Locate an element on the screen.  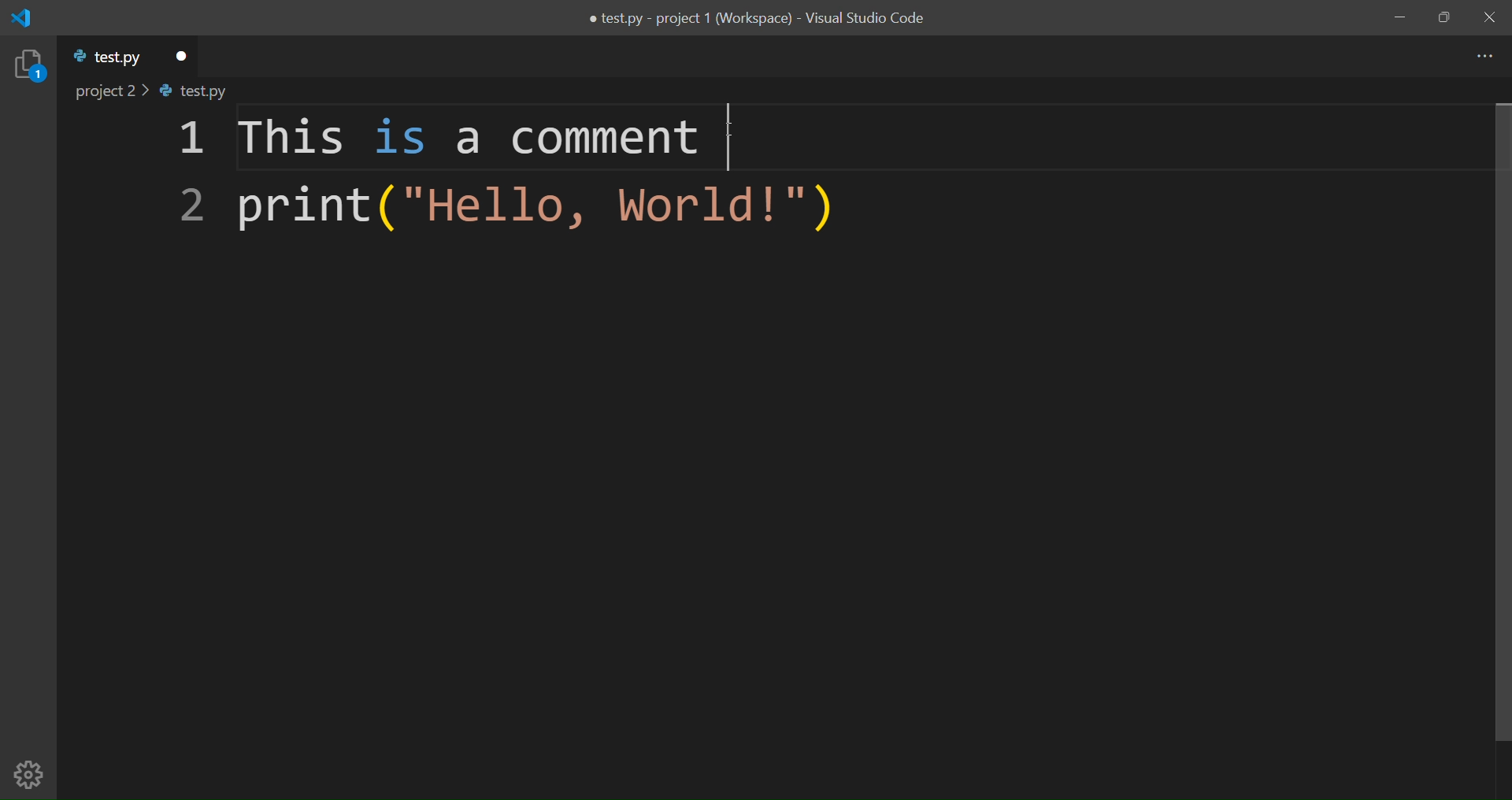
minimize is located at coordinates (1398, 17).